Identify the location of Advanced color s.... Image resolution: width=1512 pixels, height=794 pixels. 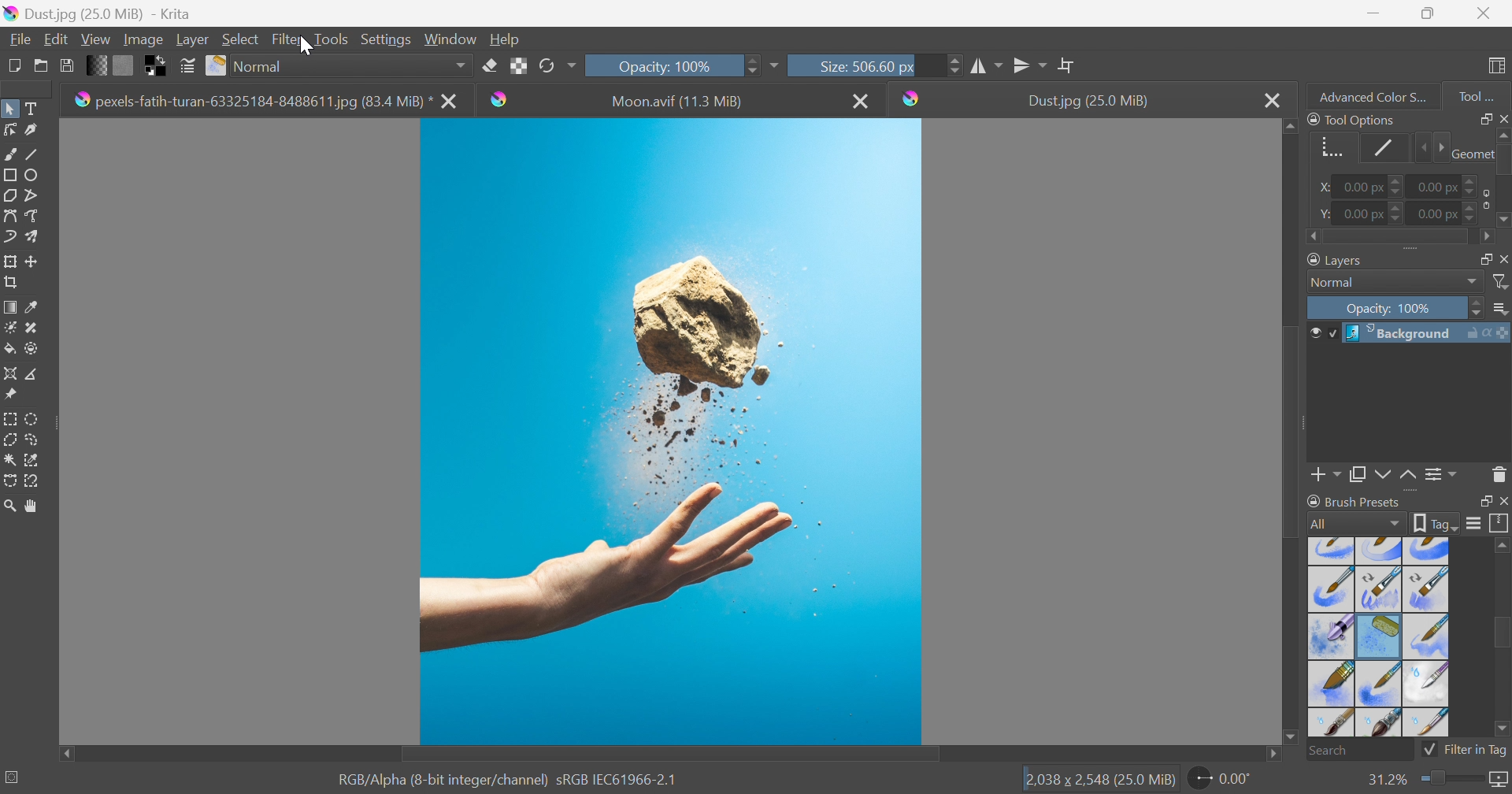
(1368, 95).